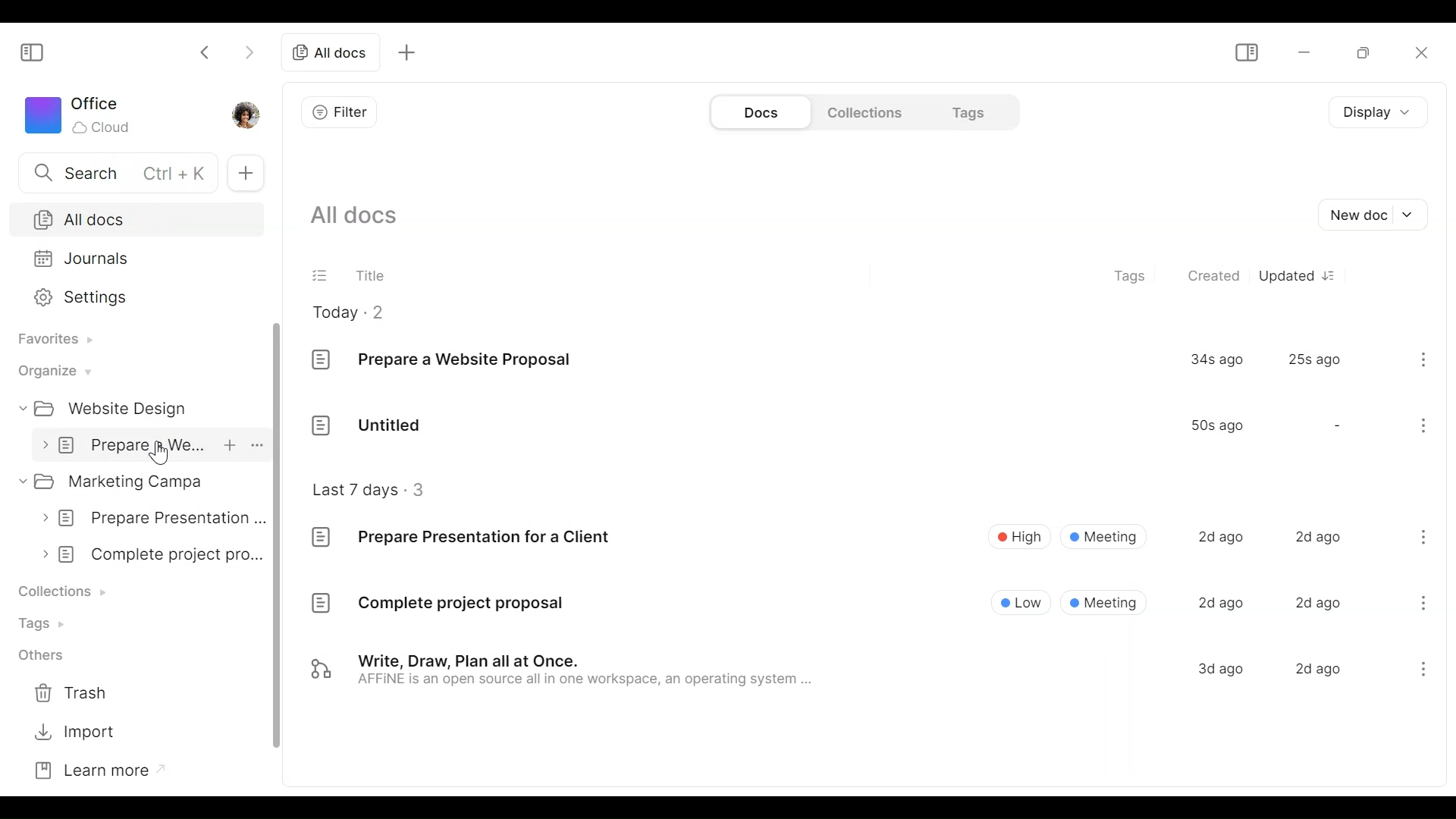 This screenshot has width=1456, height=819. What do you see at coordinates (137, 219) in the screenshot?
I see `All Documents` at bounding box center [137, 219].